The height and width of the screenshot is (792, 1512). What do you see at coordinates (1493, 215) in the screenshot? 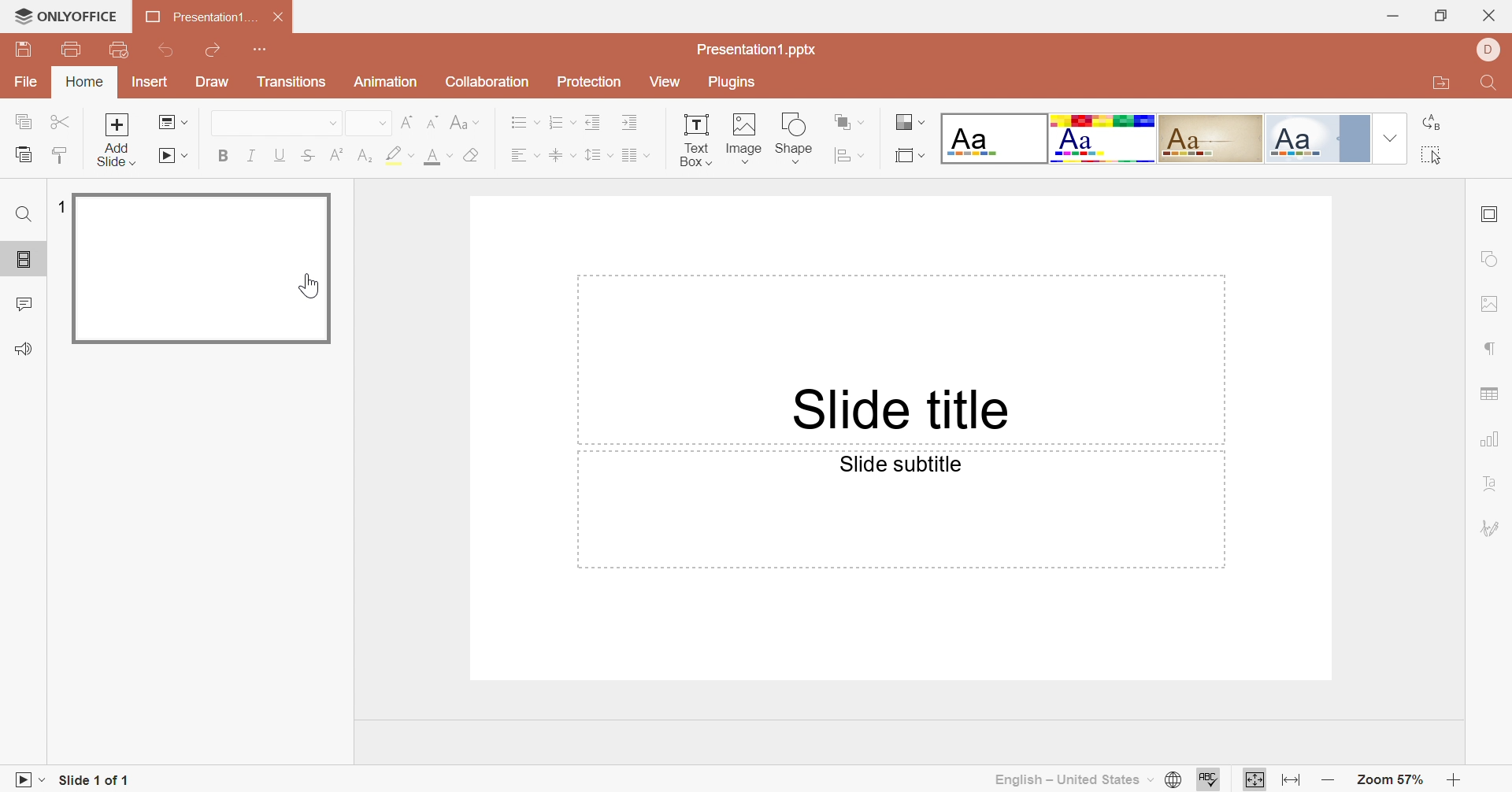
I see `Slide settings` at bounding box center [1493, 215].